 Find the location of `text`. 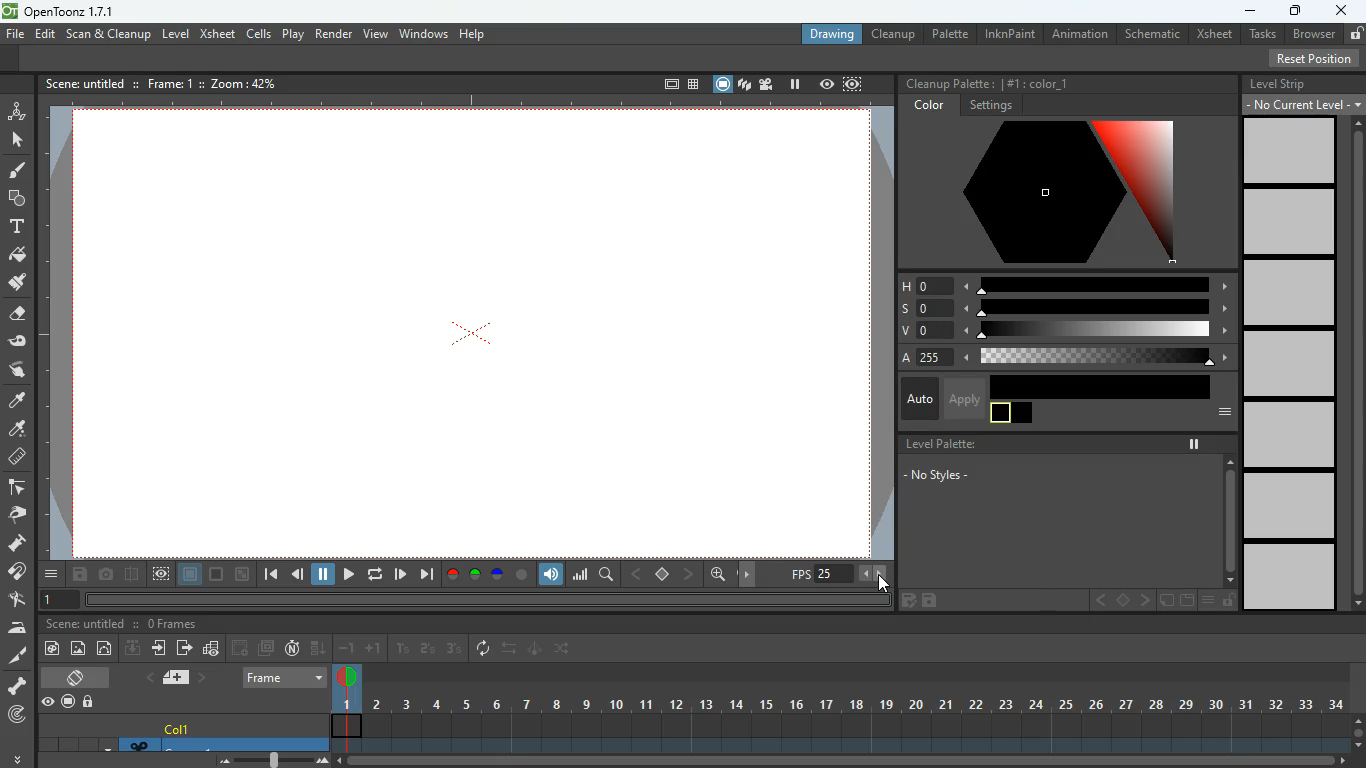

text is located at coordinates (16, 227).